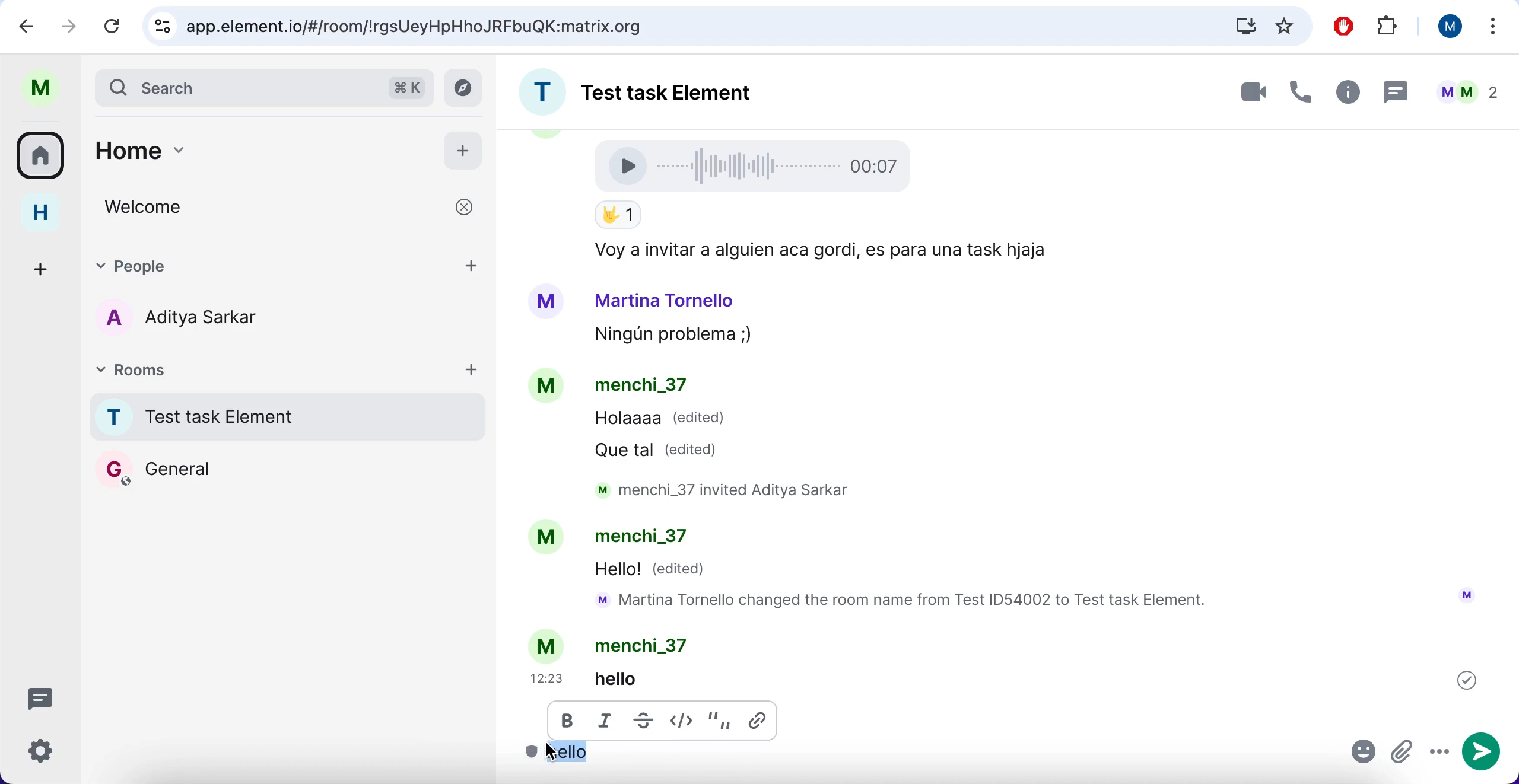 The height and width of the screenshot is (784, 1519). I want to click on rooms, so click(195, 368).